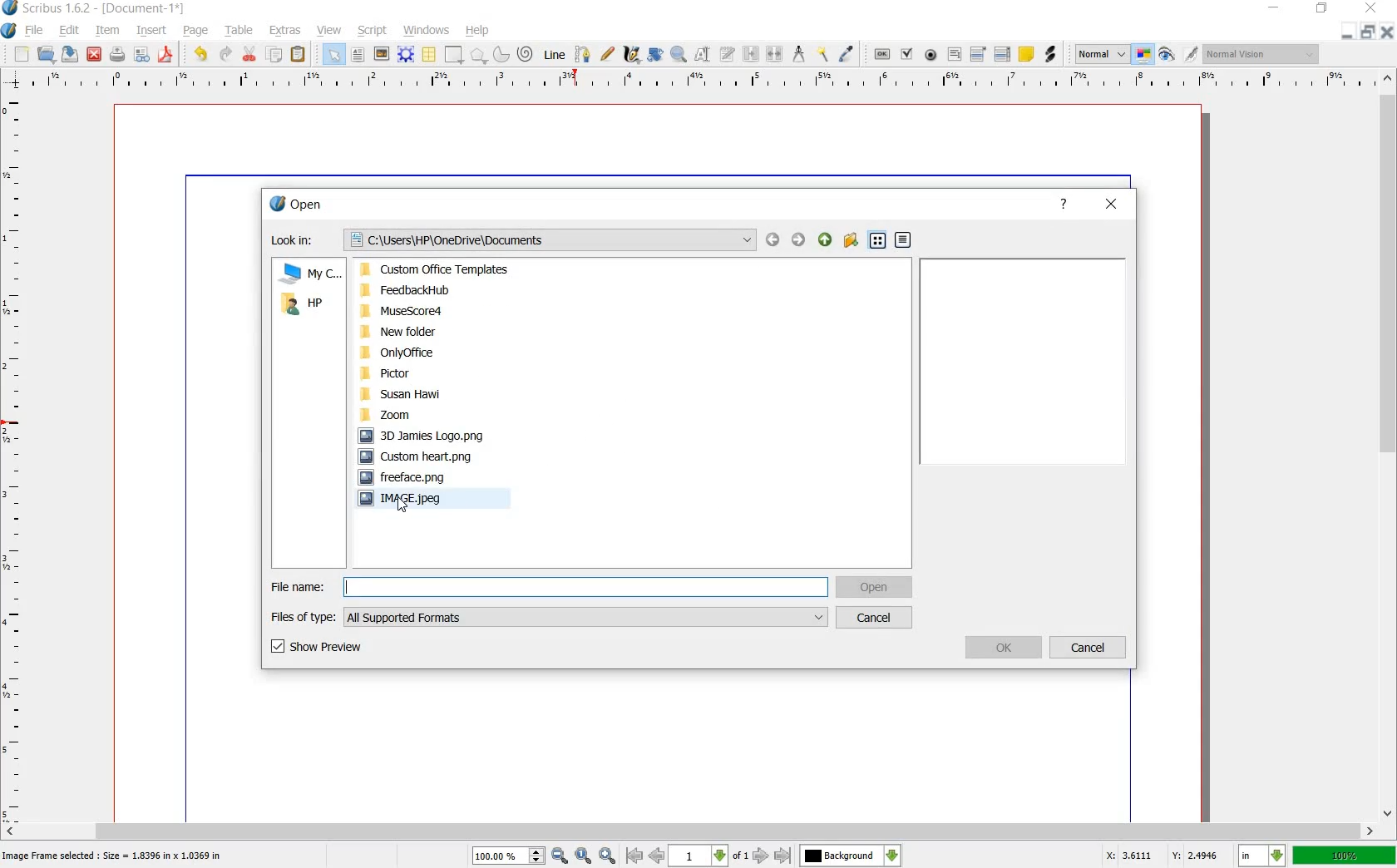  What do you see at coordinates (407, 308) in the screenshot?
I see `MuseScore4` at bounding box center [407, 308].